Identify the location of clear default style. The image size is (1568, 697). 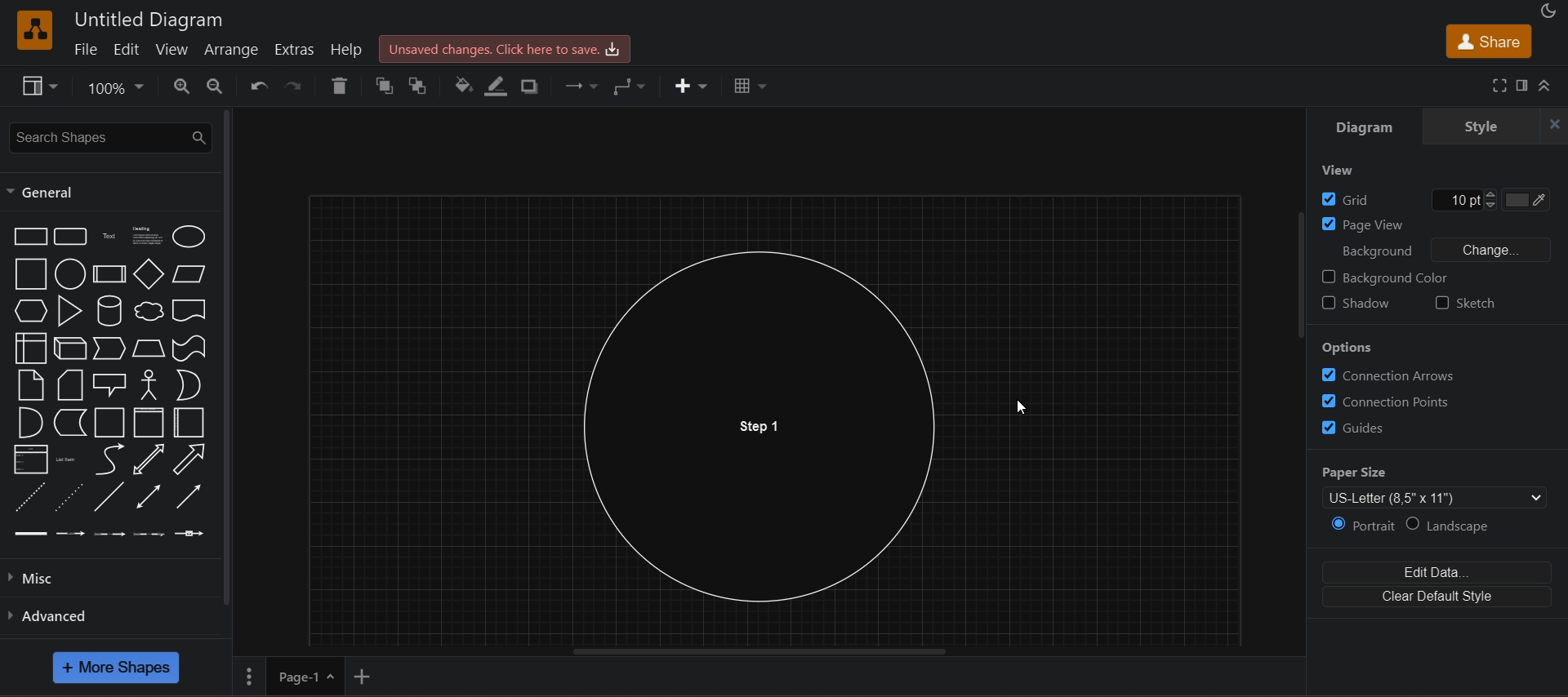
(1437, 596).